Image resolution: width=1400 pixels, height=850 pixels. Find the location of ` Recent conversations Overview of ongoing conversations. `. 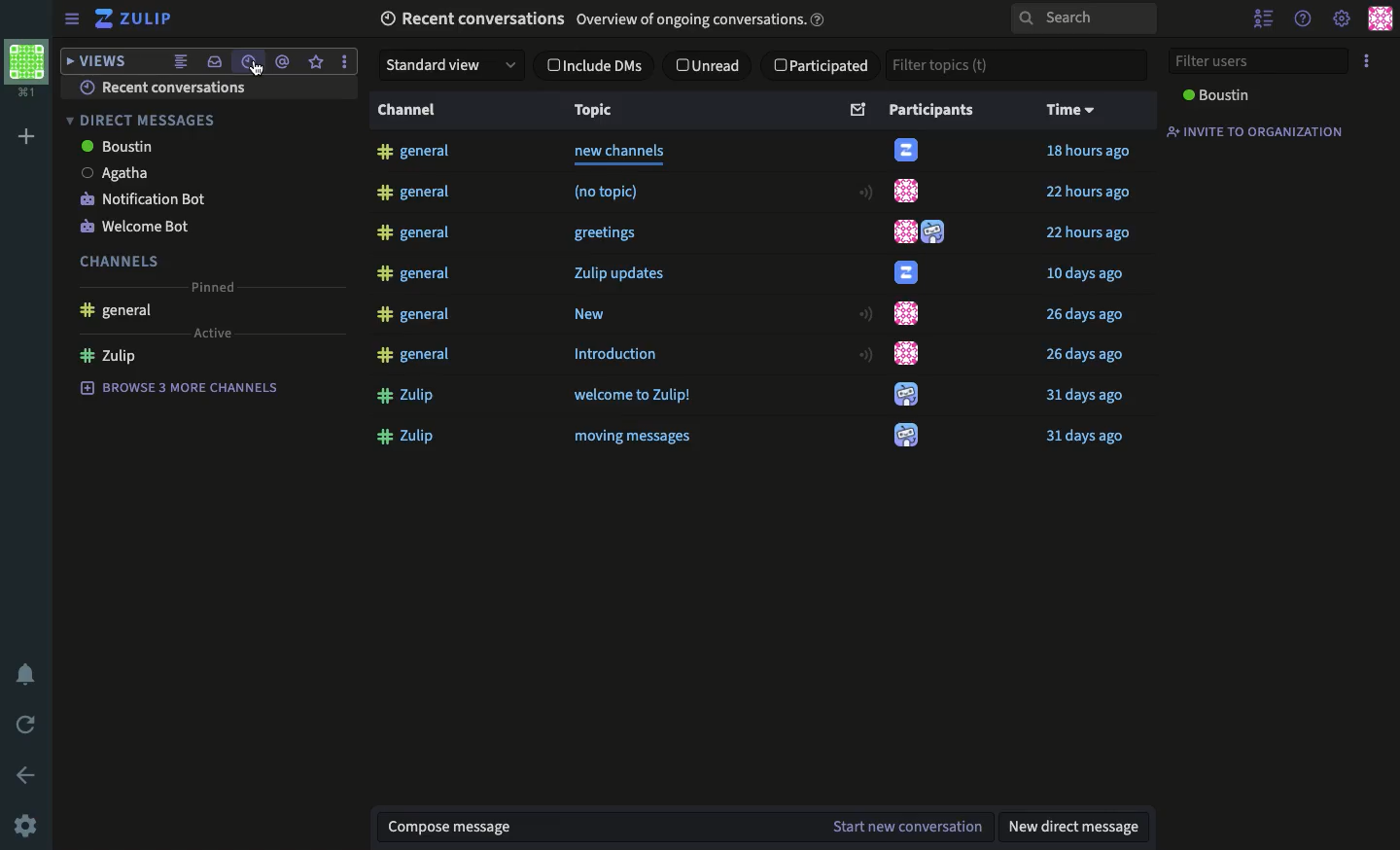

 Recent conversations Overview of ongoing conversations.  is located at coordinates (599, 19).